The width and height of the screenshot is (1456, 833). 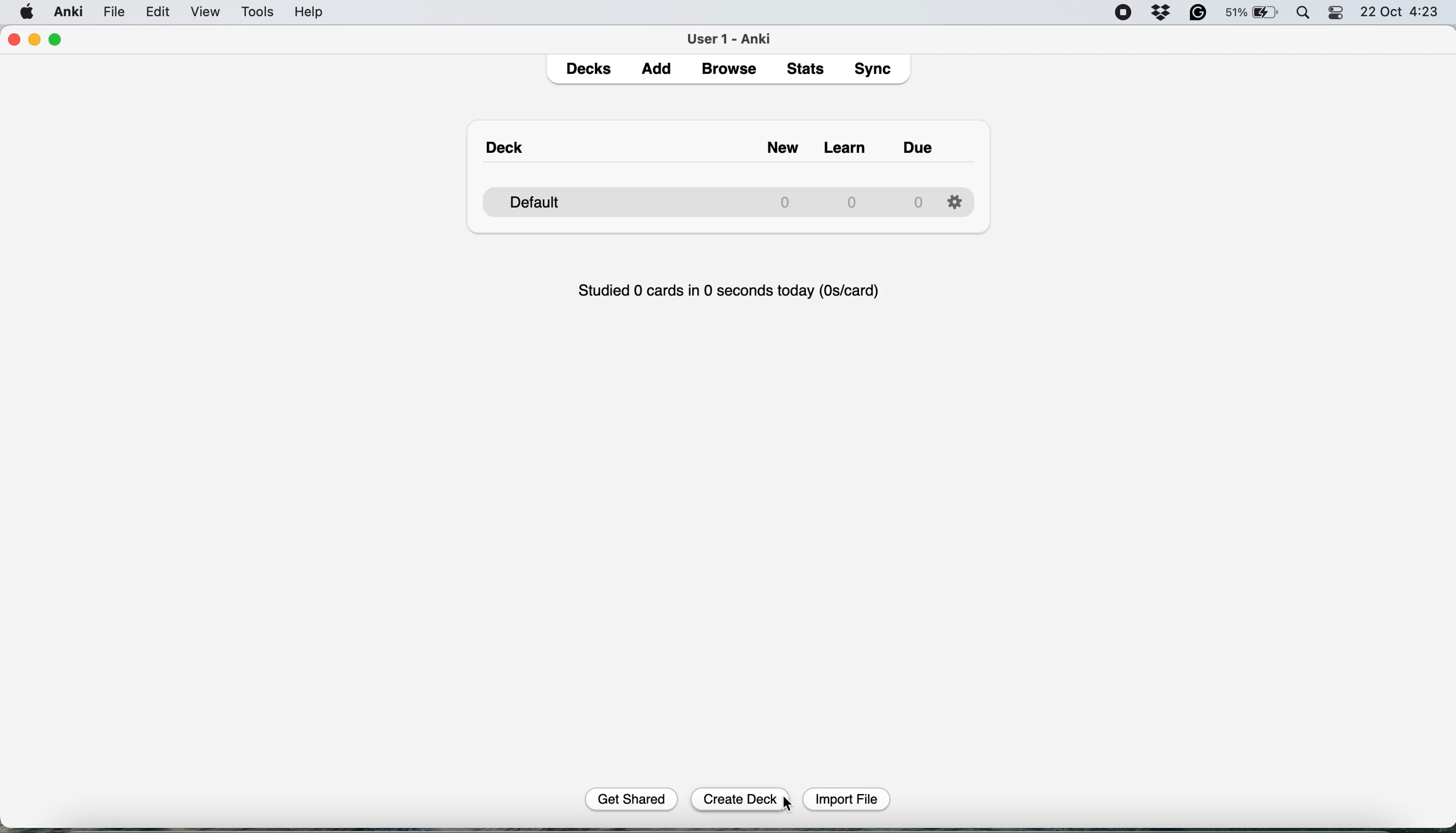 What do you see at coordinates (730, 38) in the screenshot?
I see `user 1 - Anki` at bounding box center [730, 38].